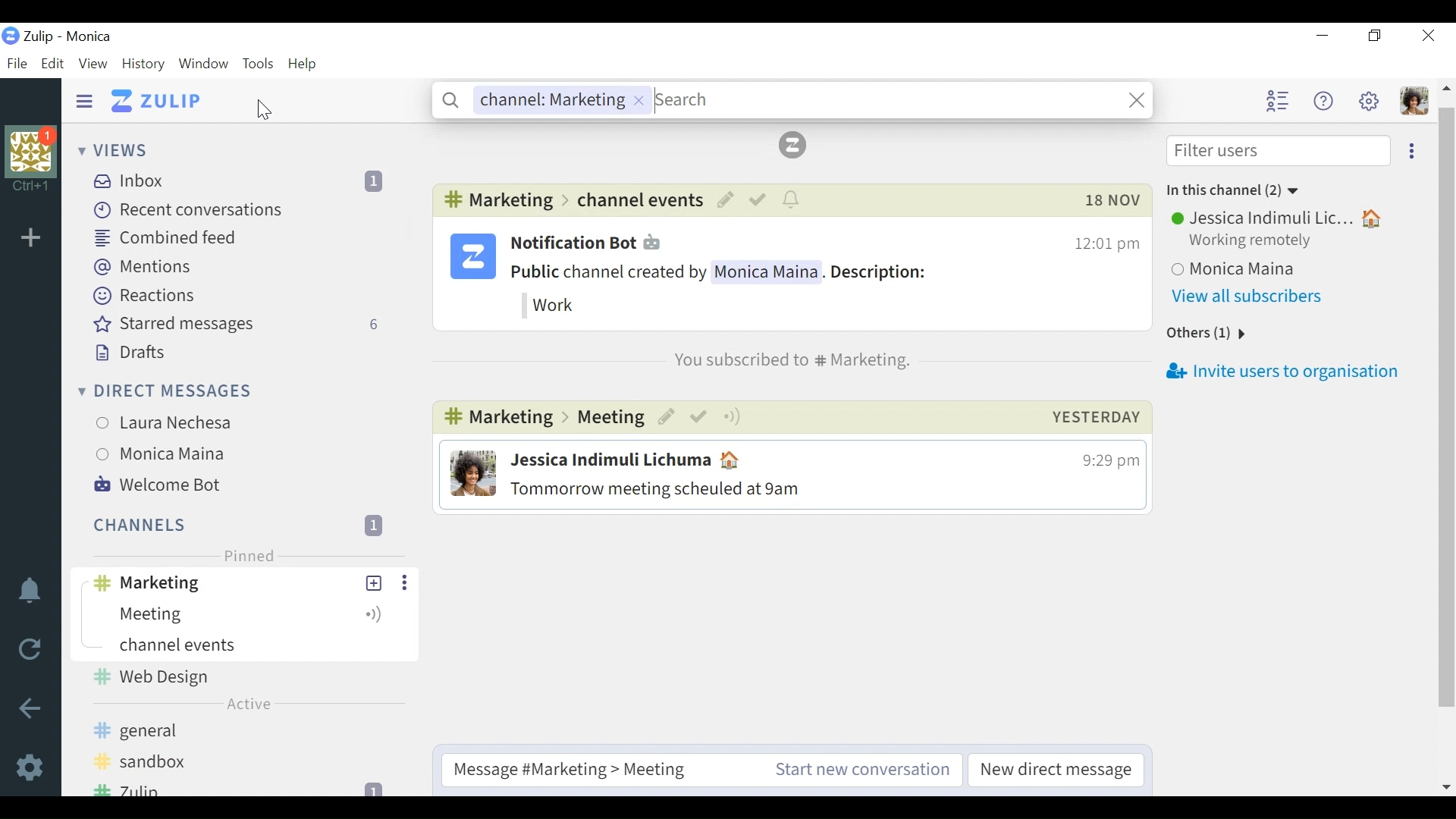 The width and height of the screenshot is (1456, 819). Describe the element at coordinates (790, 100) in the screenshot. I see `Channel: Marketing Search` at that location.